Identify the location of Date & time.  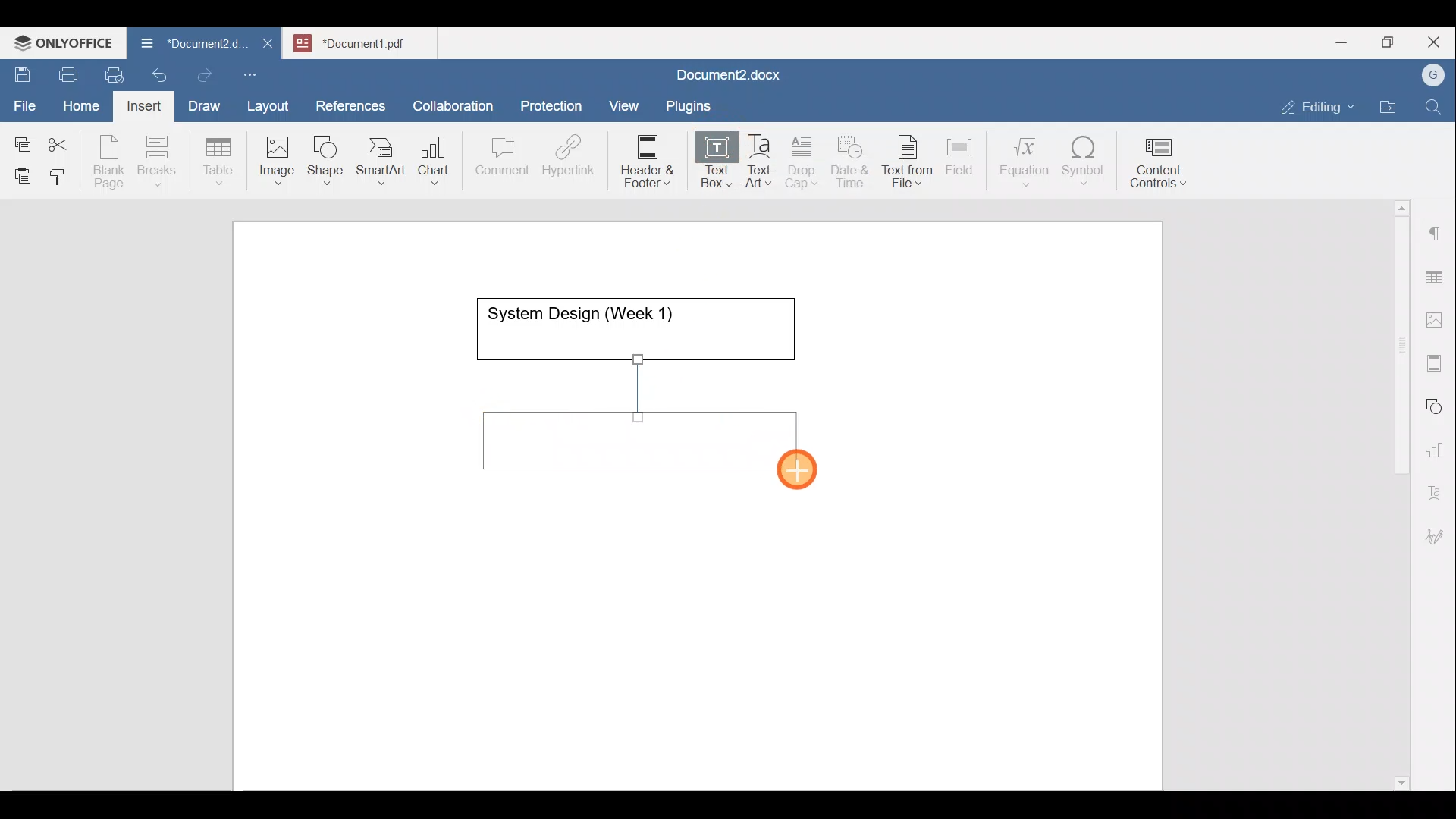
(851, 159).